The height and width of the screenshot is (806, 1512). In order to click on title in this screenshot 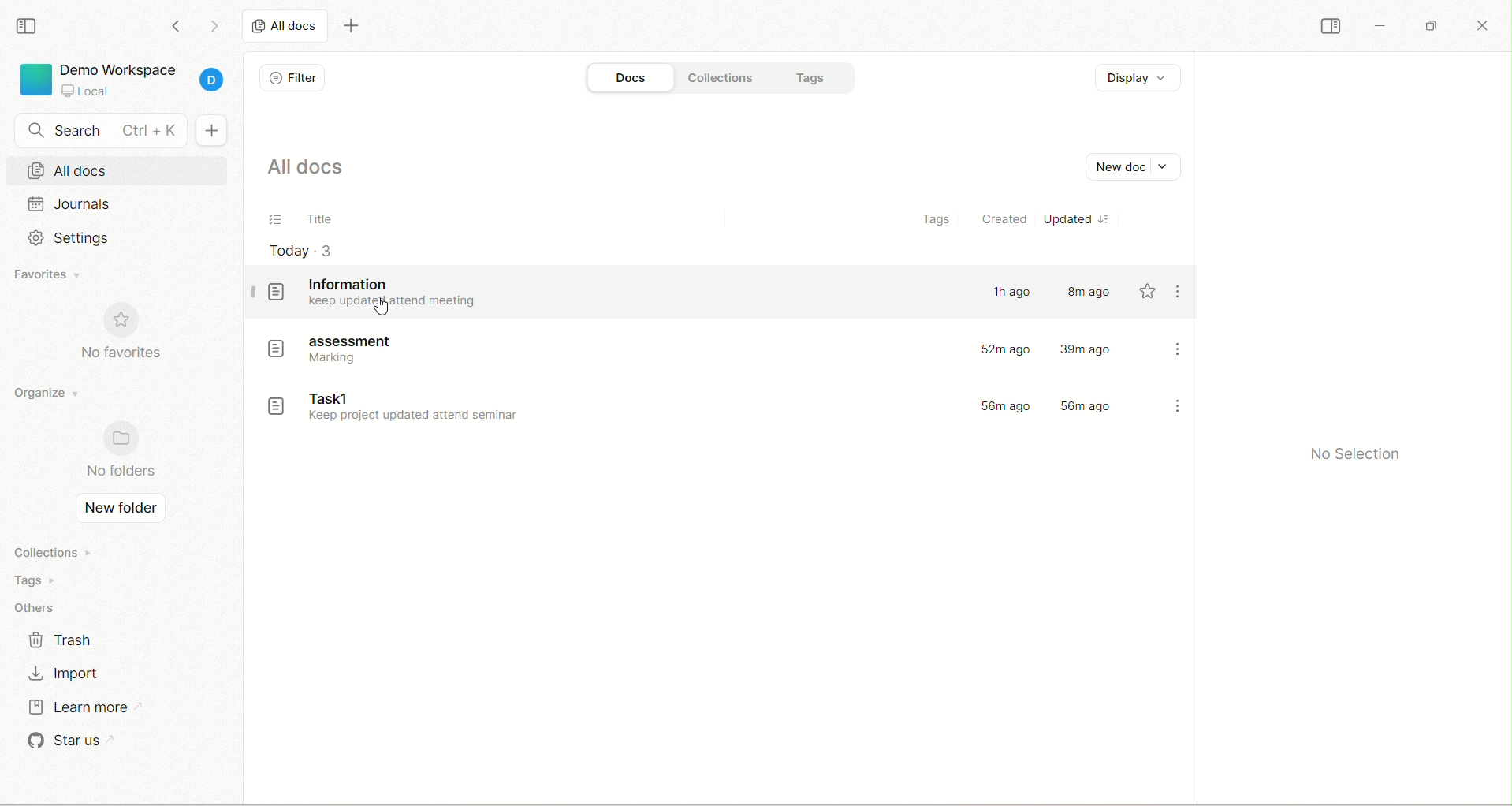, I will do `click(301, 220)`.